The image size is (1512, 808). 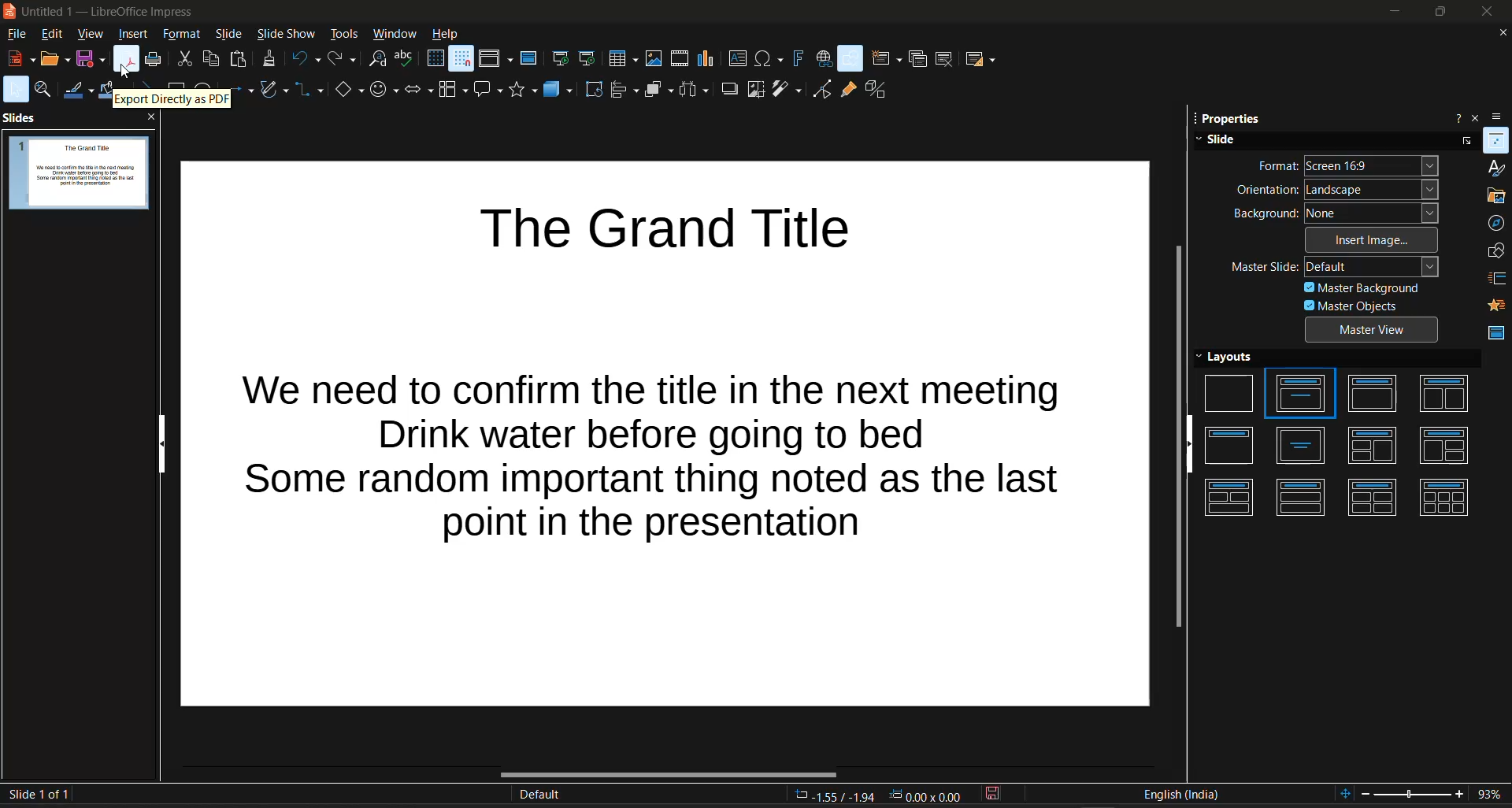 What do you see at coordinates (1343, 439) in the screenshot?
I see `layouts` at bounding box center [1343, 439].